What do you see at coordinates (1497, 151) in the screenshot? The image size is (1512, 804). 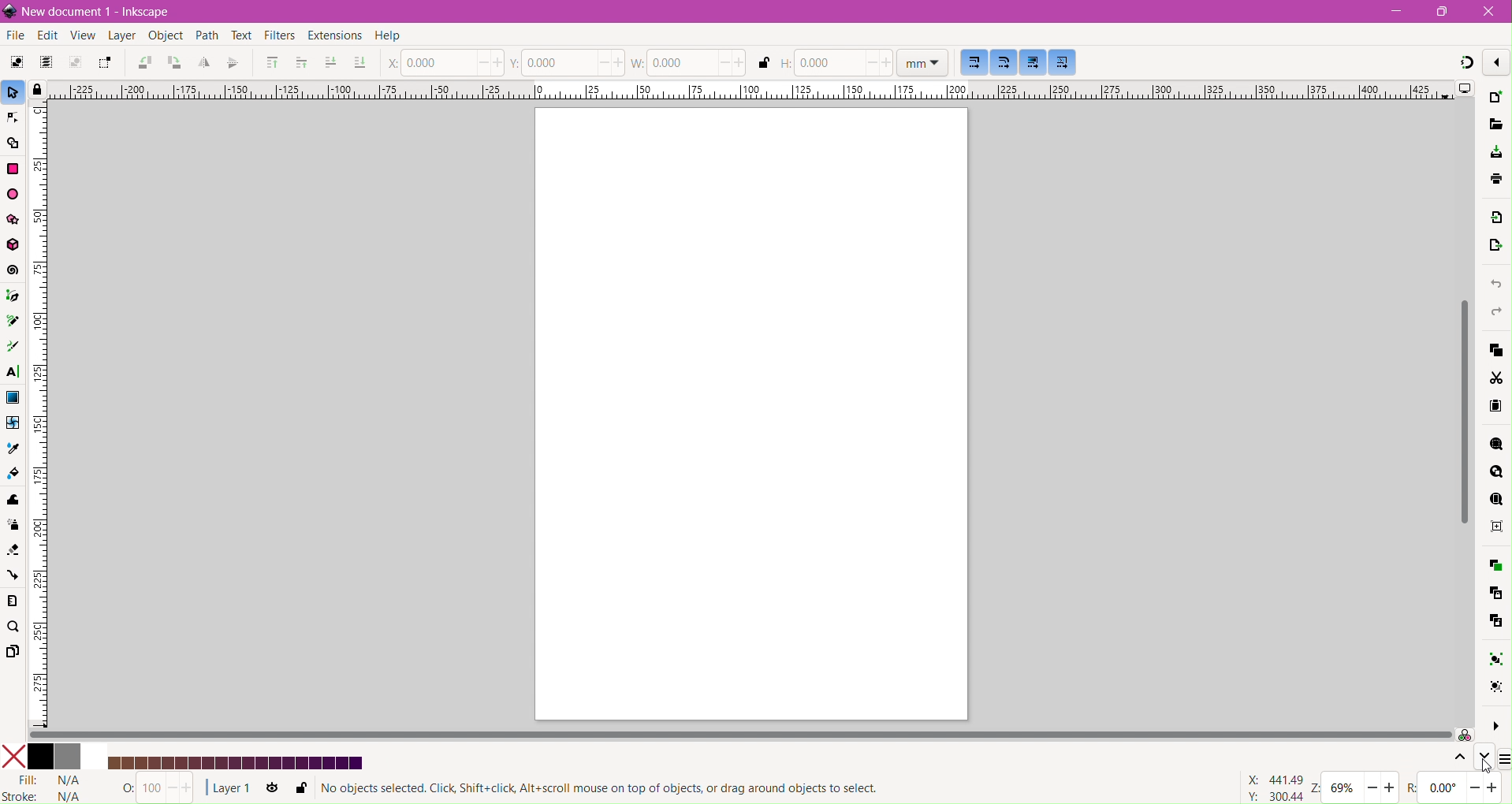 I see `Save` at bounding box center [1497, 151].